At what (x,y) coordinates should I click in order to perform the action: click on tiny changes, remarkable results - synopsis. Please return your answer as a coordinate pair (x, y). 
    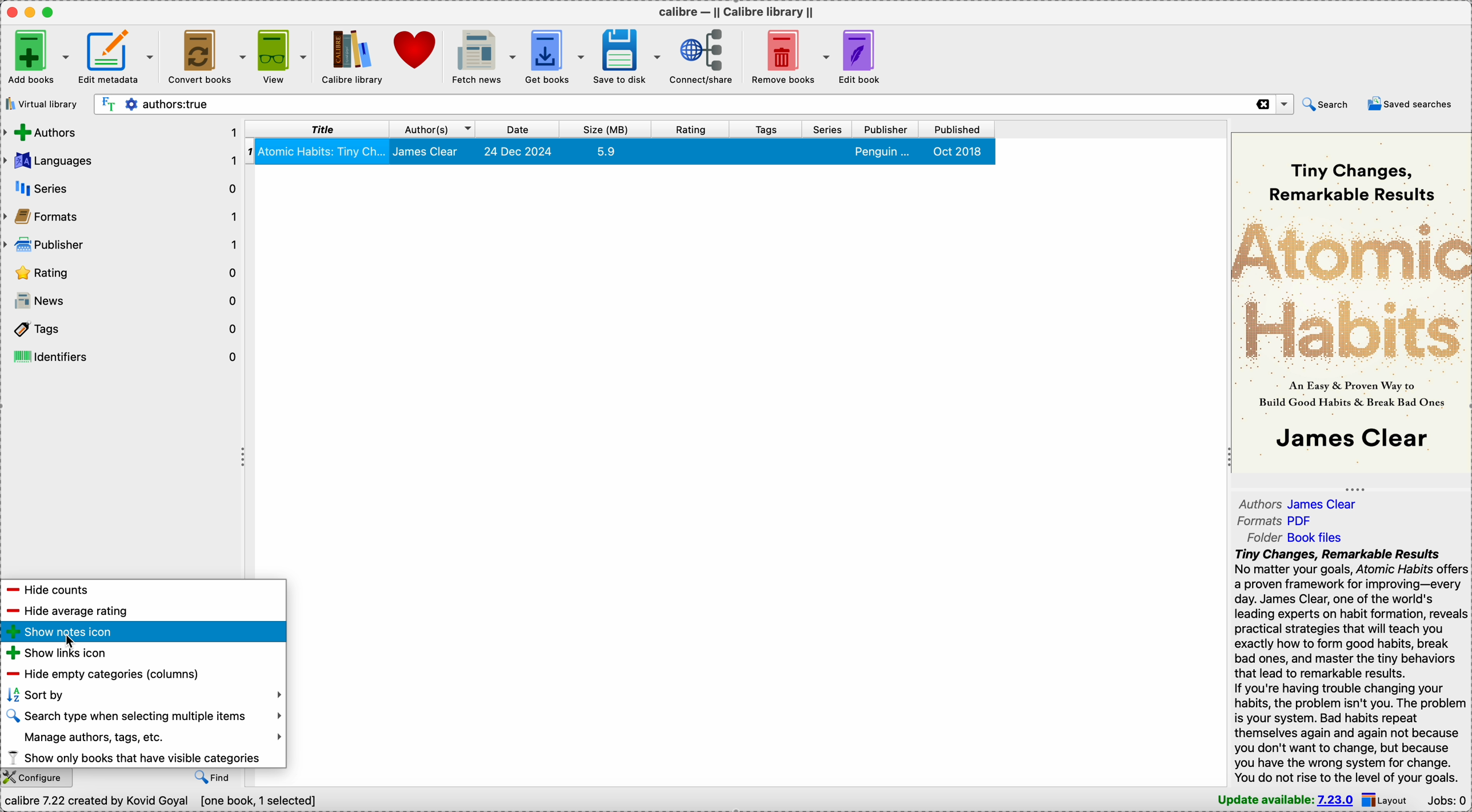
    Looking at the image, I should click on (1350, 666).